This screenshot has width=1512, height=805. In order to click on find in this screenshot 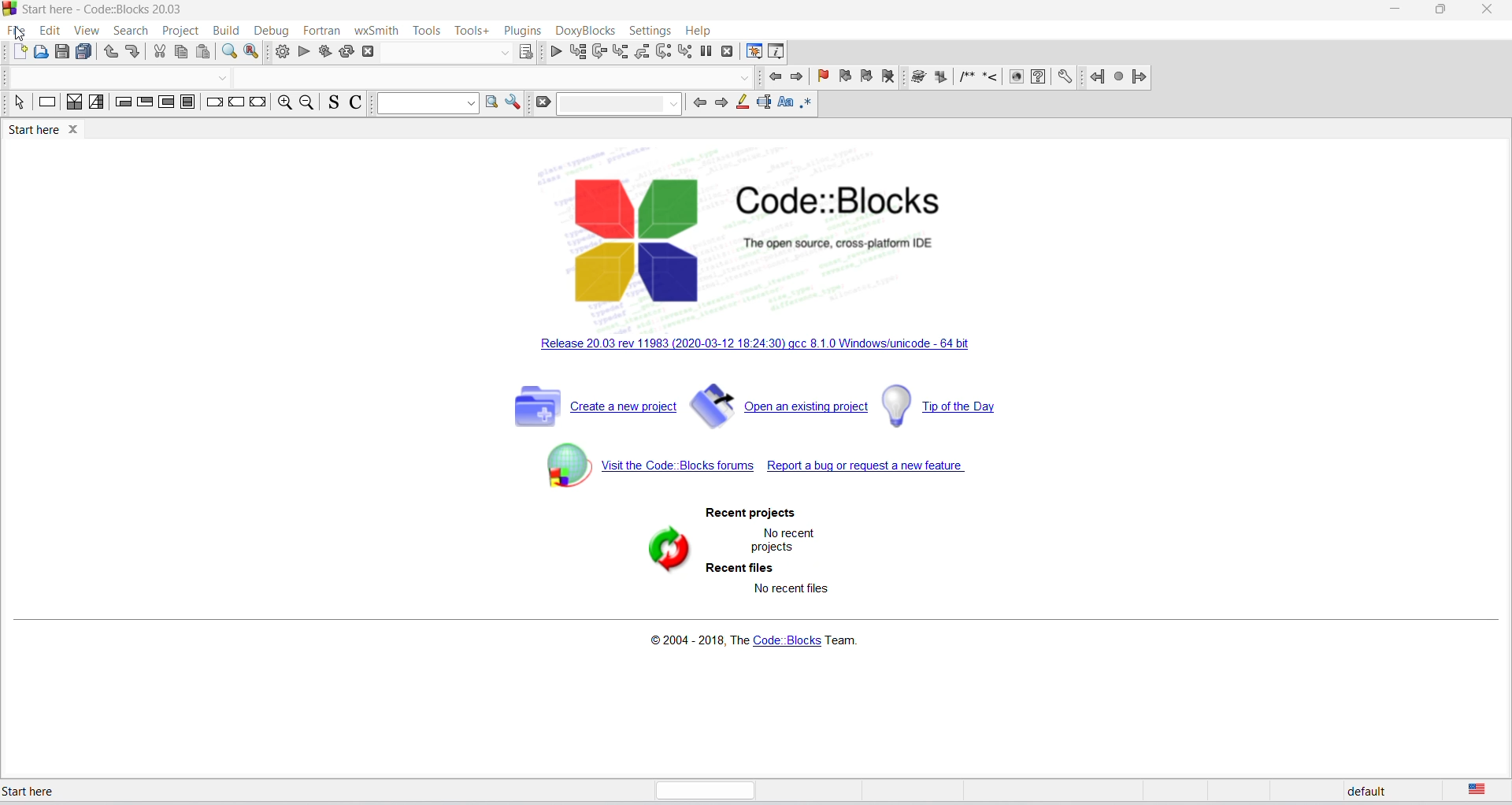, I will do `click(228, 51)`.